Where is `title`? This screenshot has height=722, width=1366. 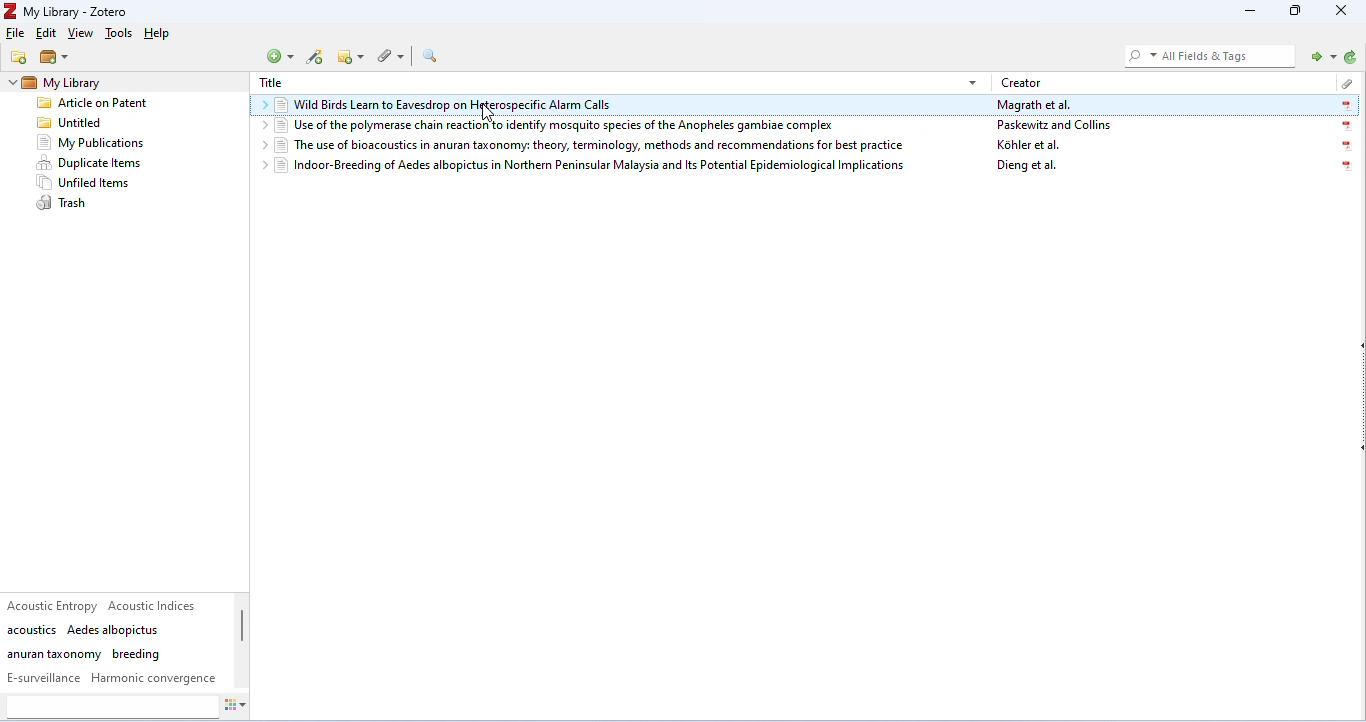 title is located at coordinates (271, 83).